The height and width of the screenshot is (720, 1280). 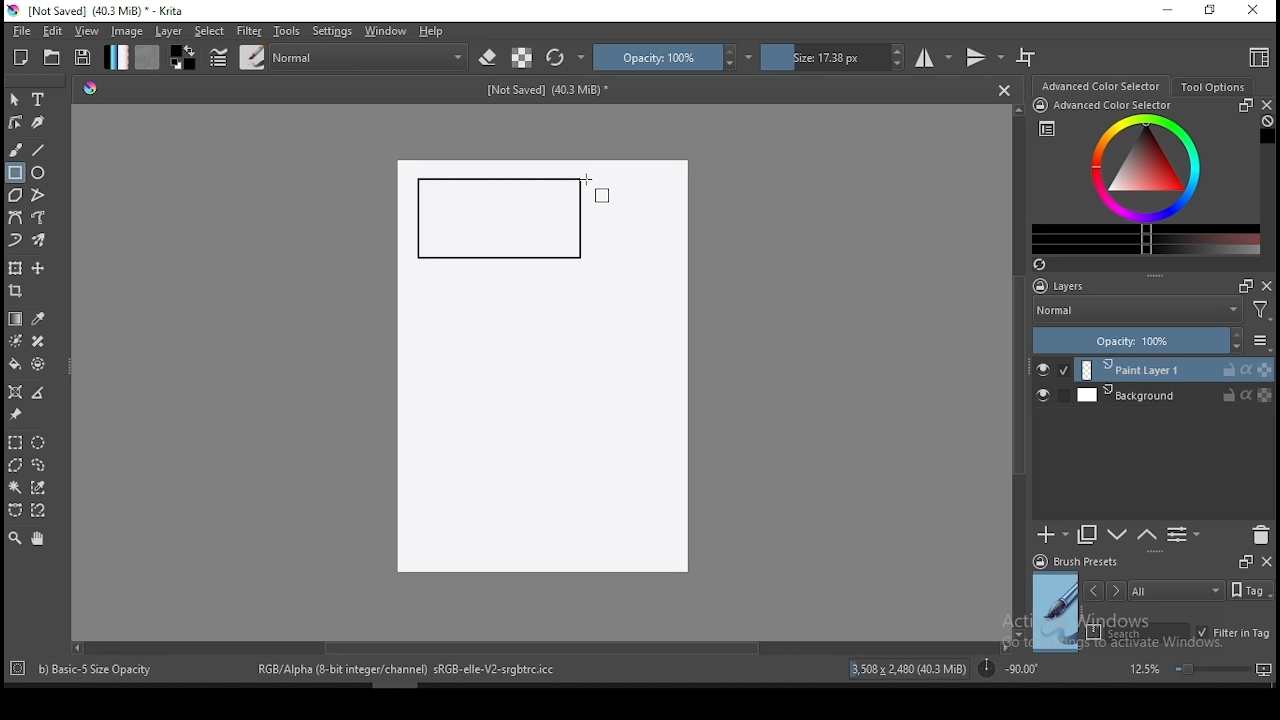 What do you see at coordinates (1138, 632) in the screenshot?
I see `search` at bounding box center [1138, 632].